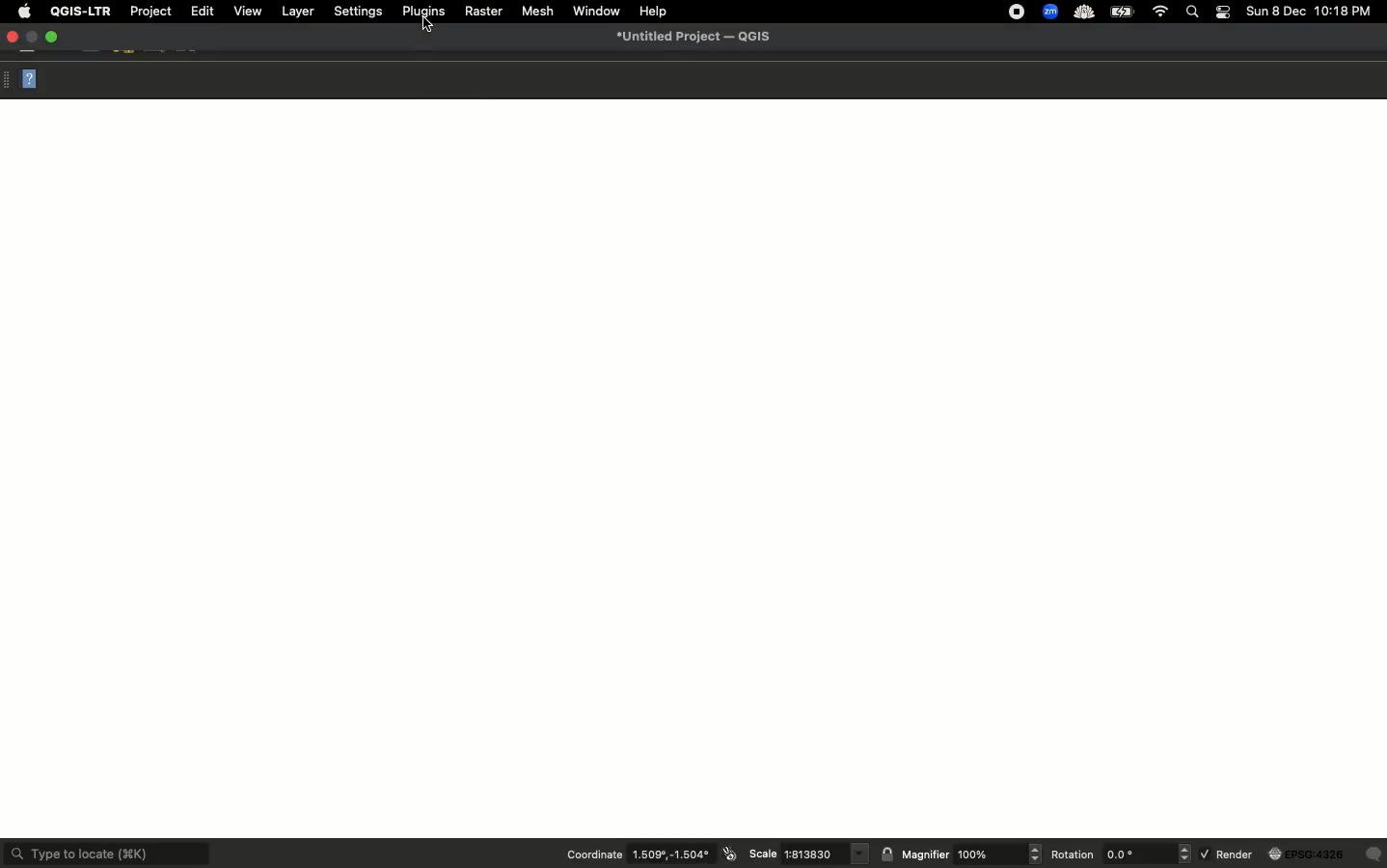  What do you see at coordinates (484, 12) in the screenshot?
I see `Raster` at bounding box center [484, 12].